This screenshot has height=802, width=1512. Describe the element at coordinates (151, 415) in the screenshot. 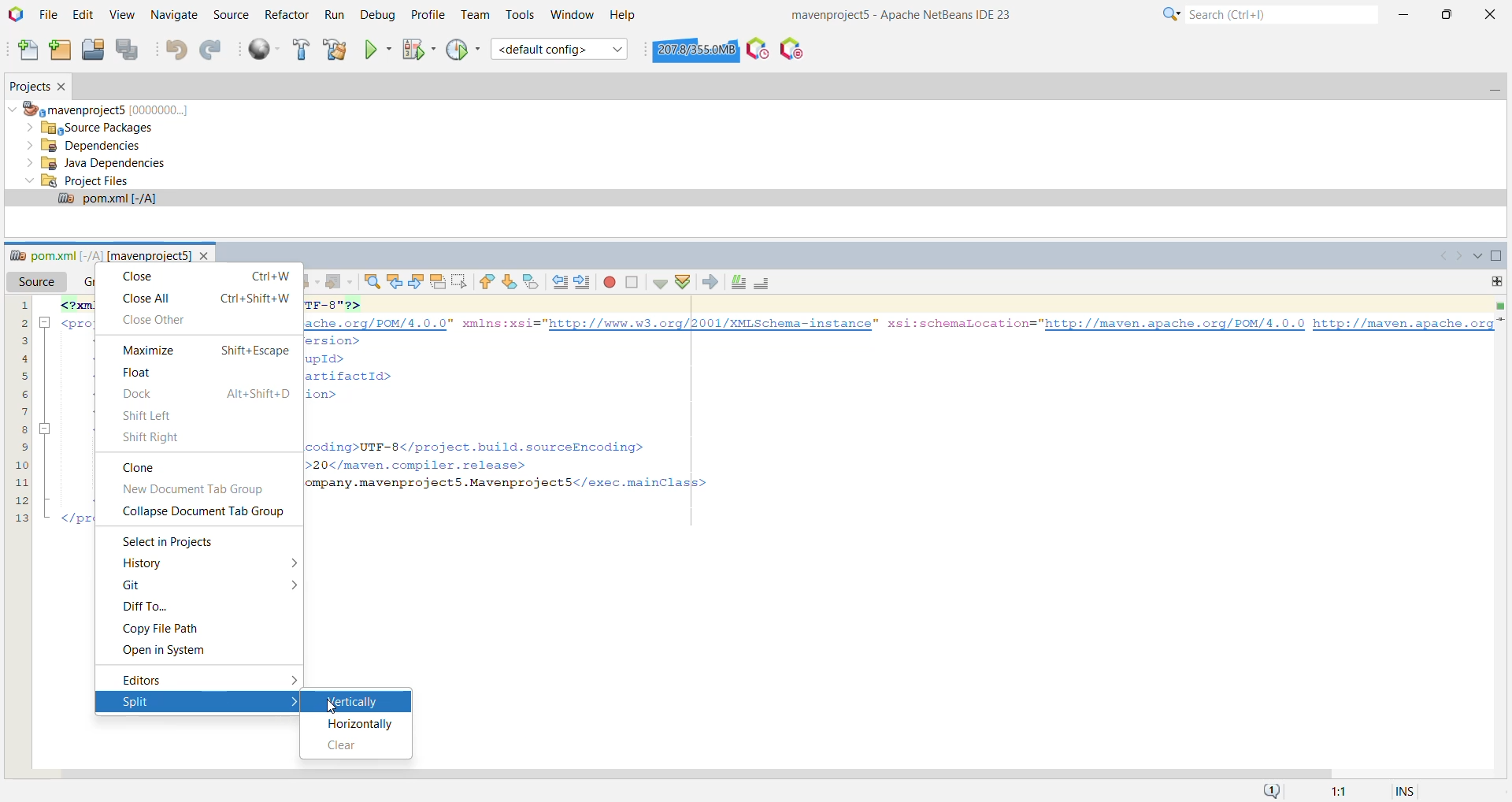

I see `Shift Left` at that location.